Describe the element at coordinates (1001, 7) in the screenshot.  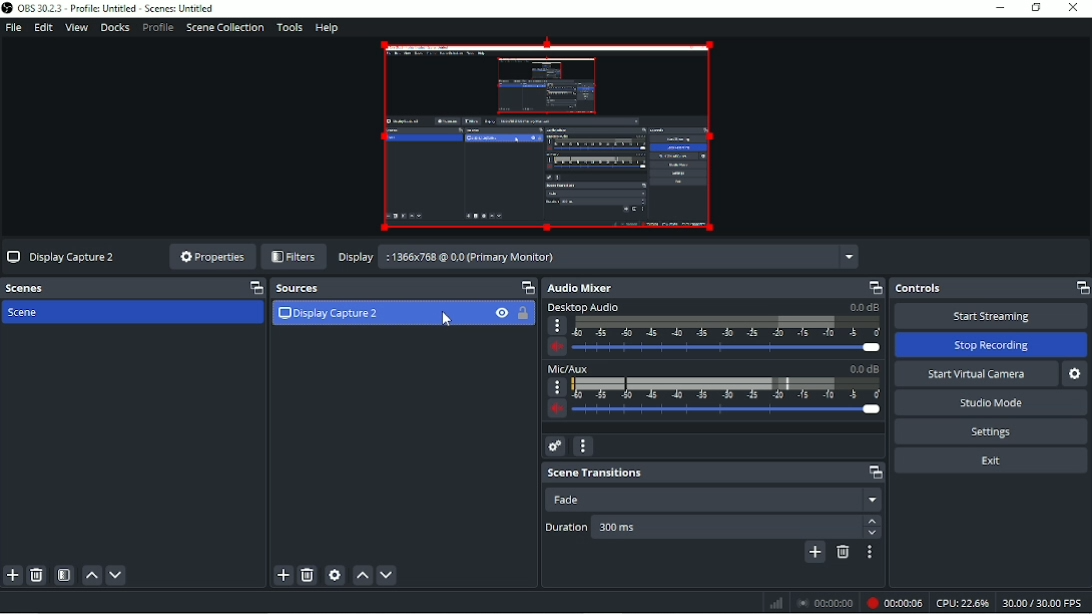
I see `Minimize` at that location.